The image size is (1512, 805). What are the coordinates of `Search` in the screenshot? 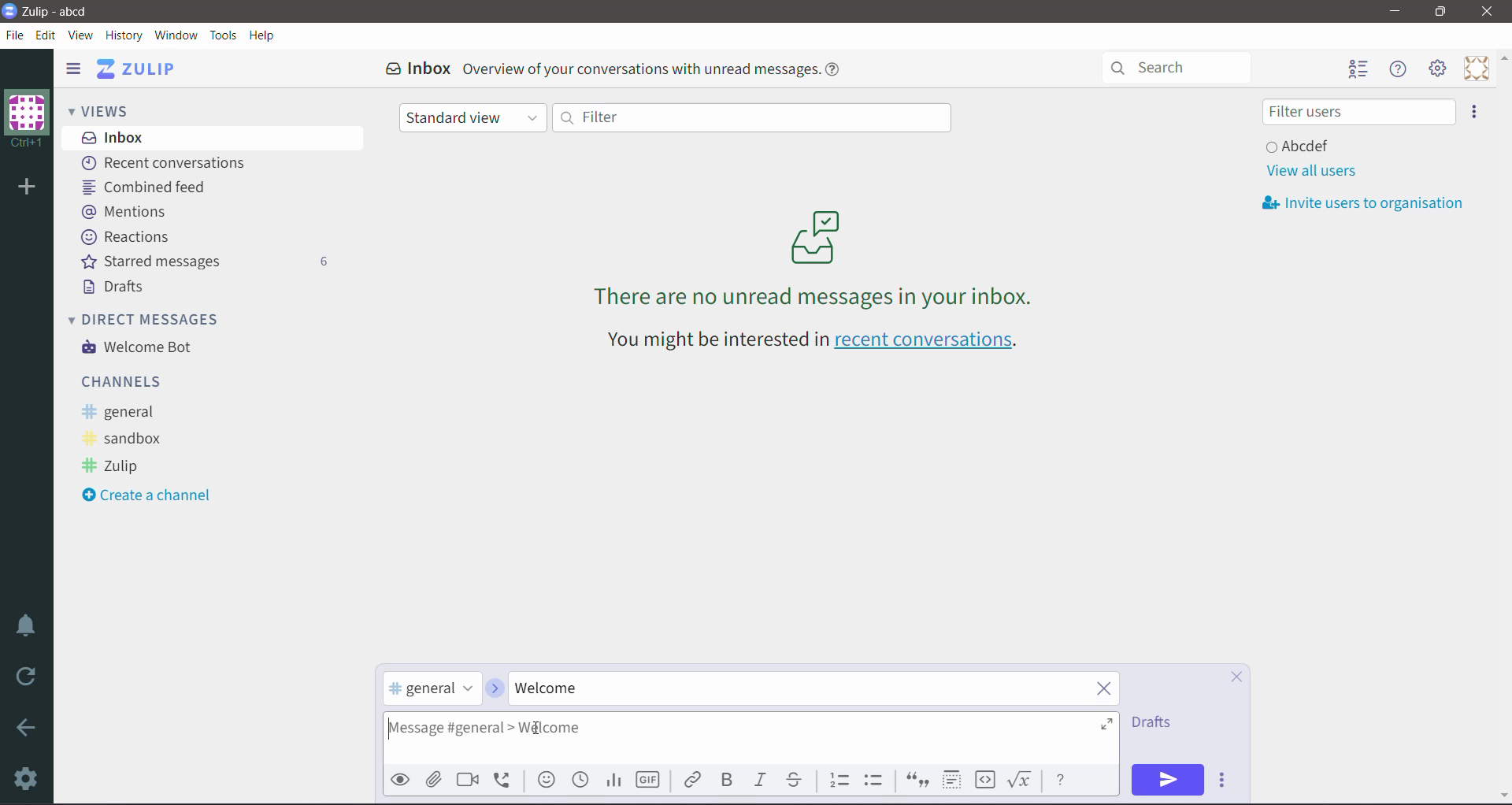 It's located at (1184, 66).